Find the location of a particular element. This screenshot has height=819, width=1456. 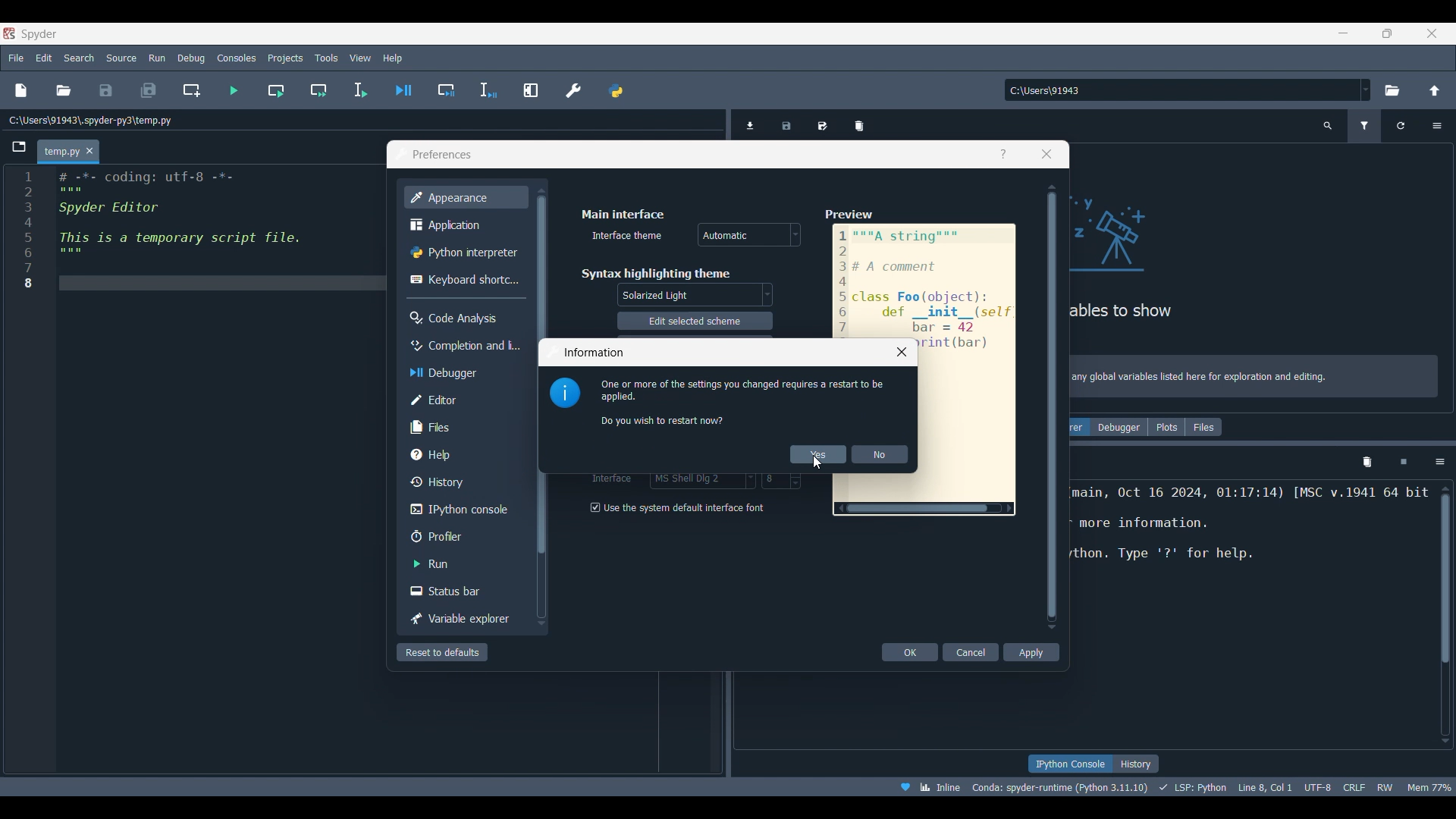

Source menu is located at coordinates (122, 58).